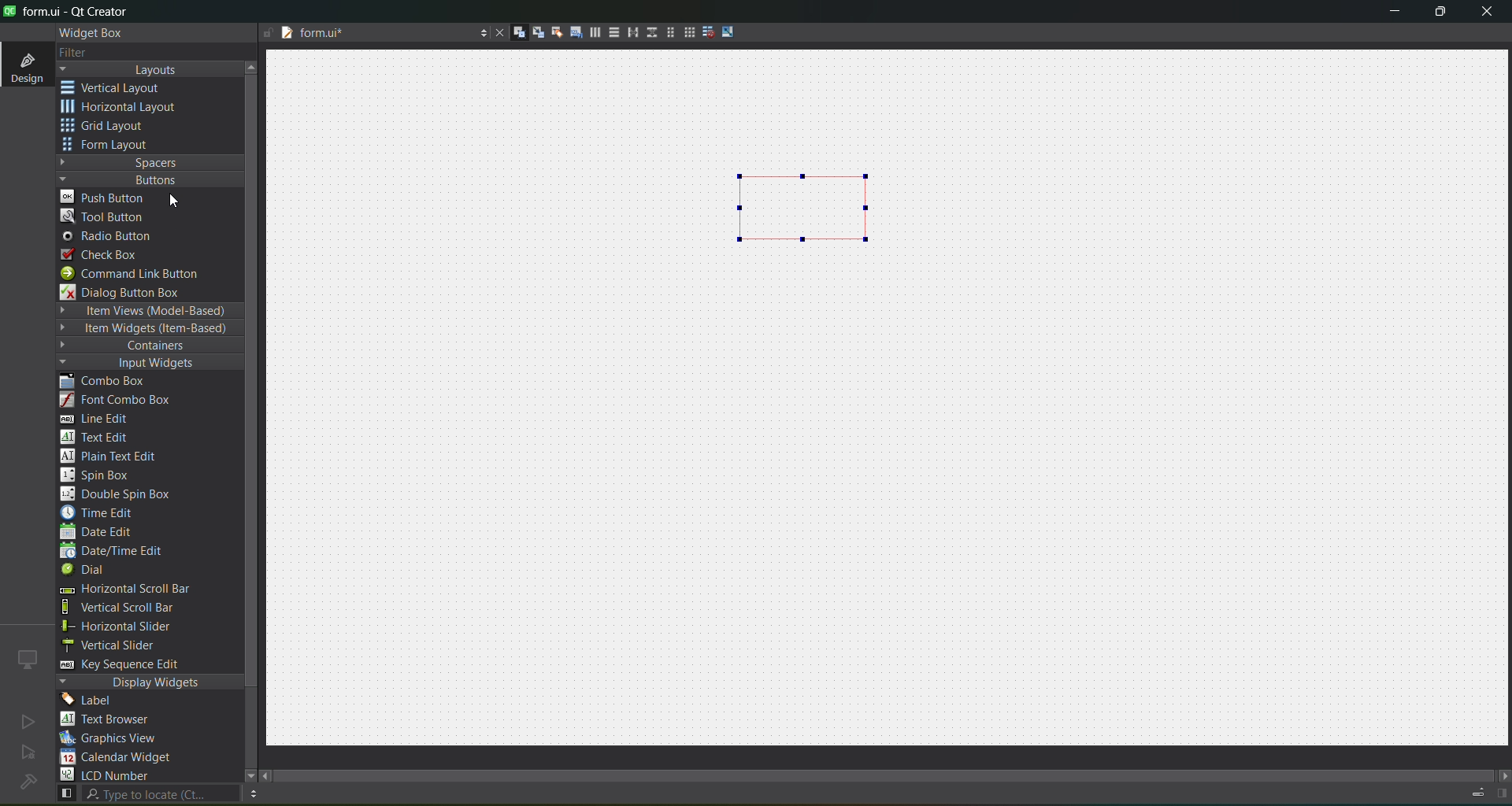  I want to click on dial, so click(88, 571).